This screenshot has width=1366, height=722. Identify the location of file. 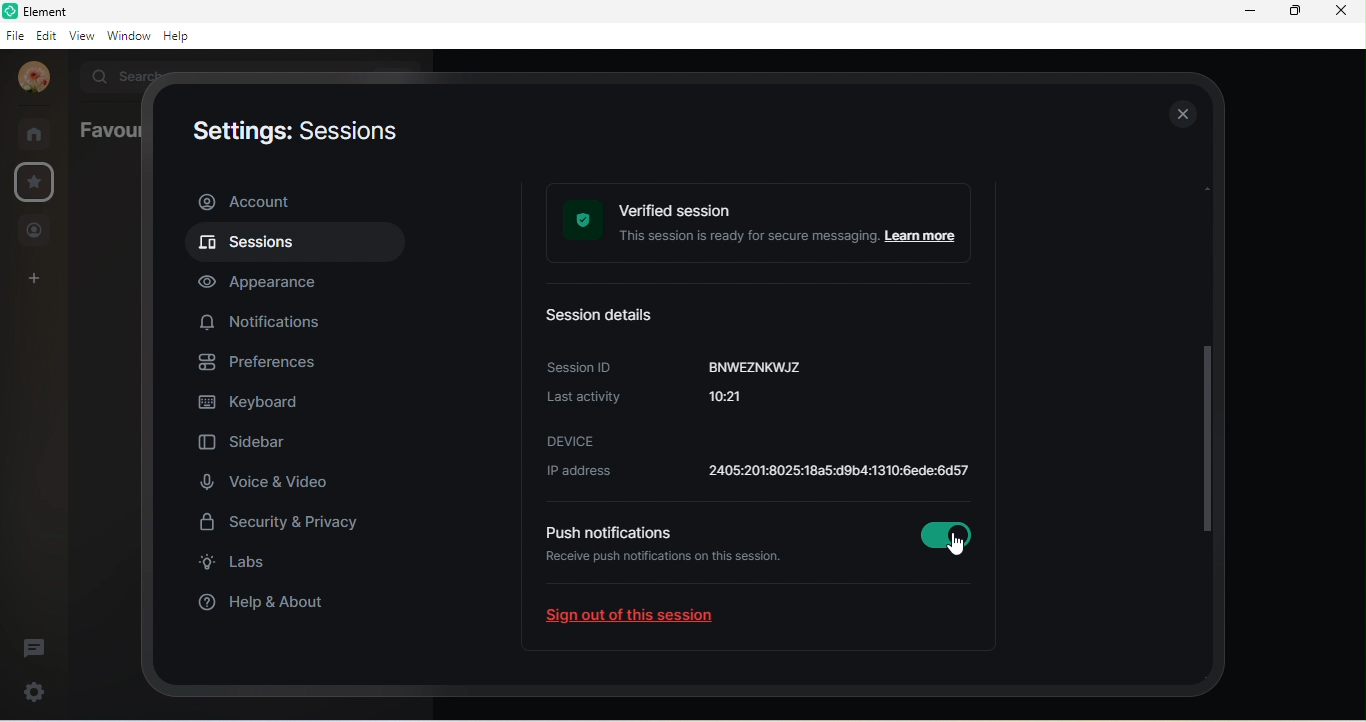
(14, 37).